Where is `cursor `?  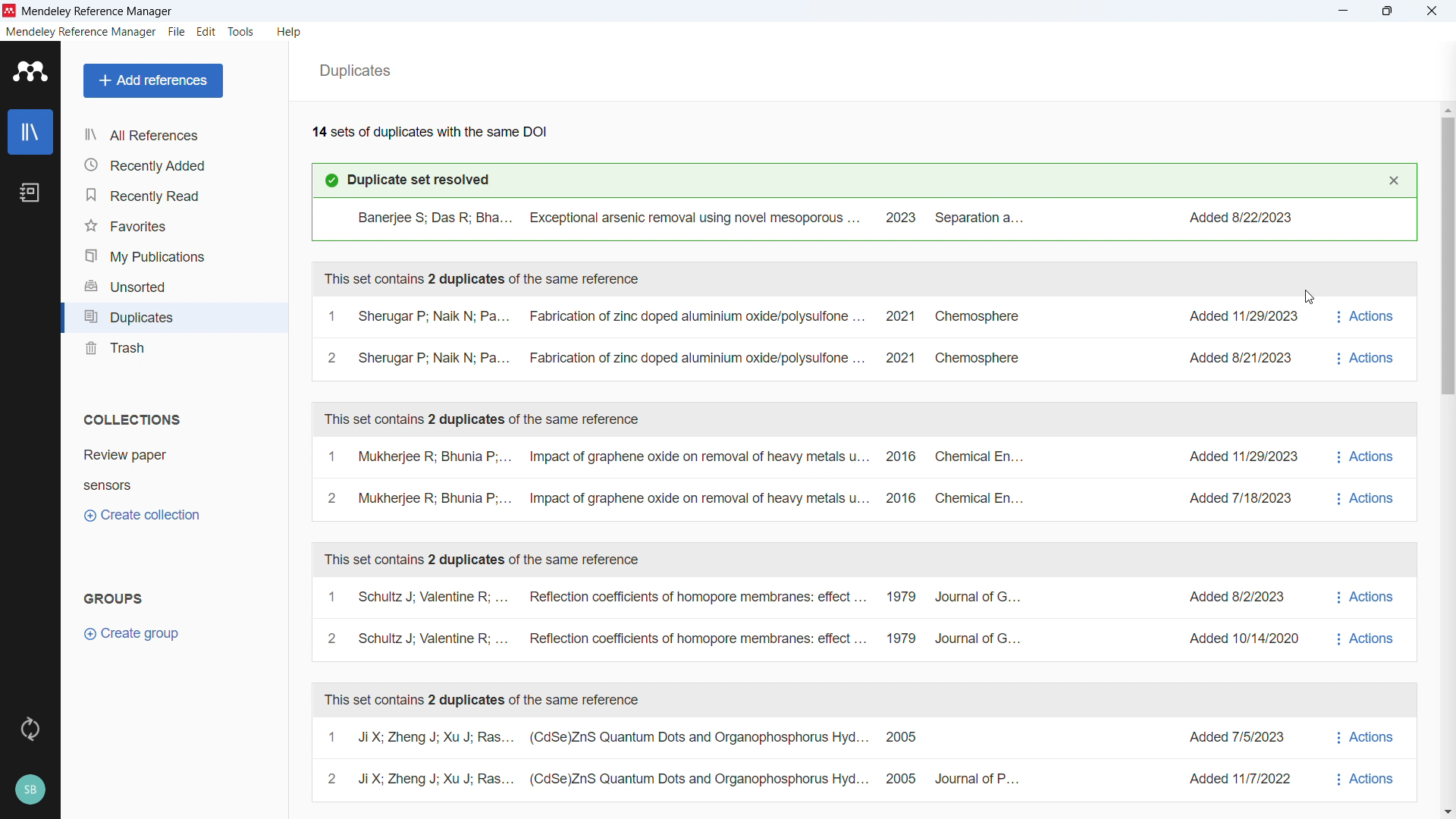
cursor  is located at coordinates (1308, 298).